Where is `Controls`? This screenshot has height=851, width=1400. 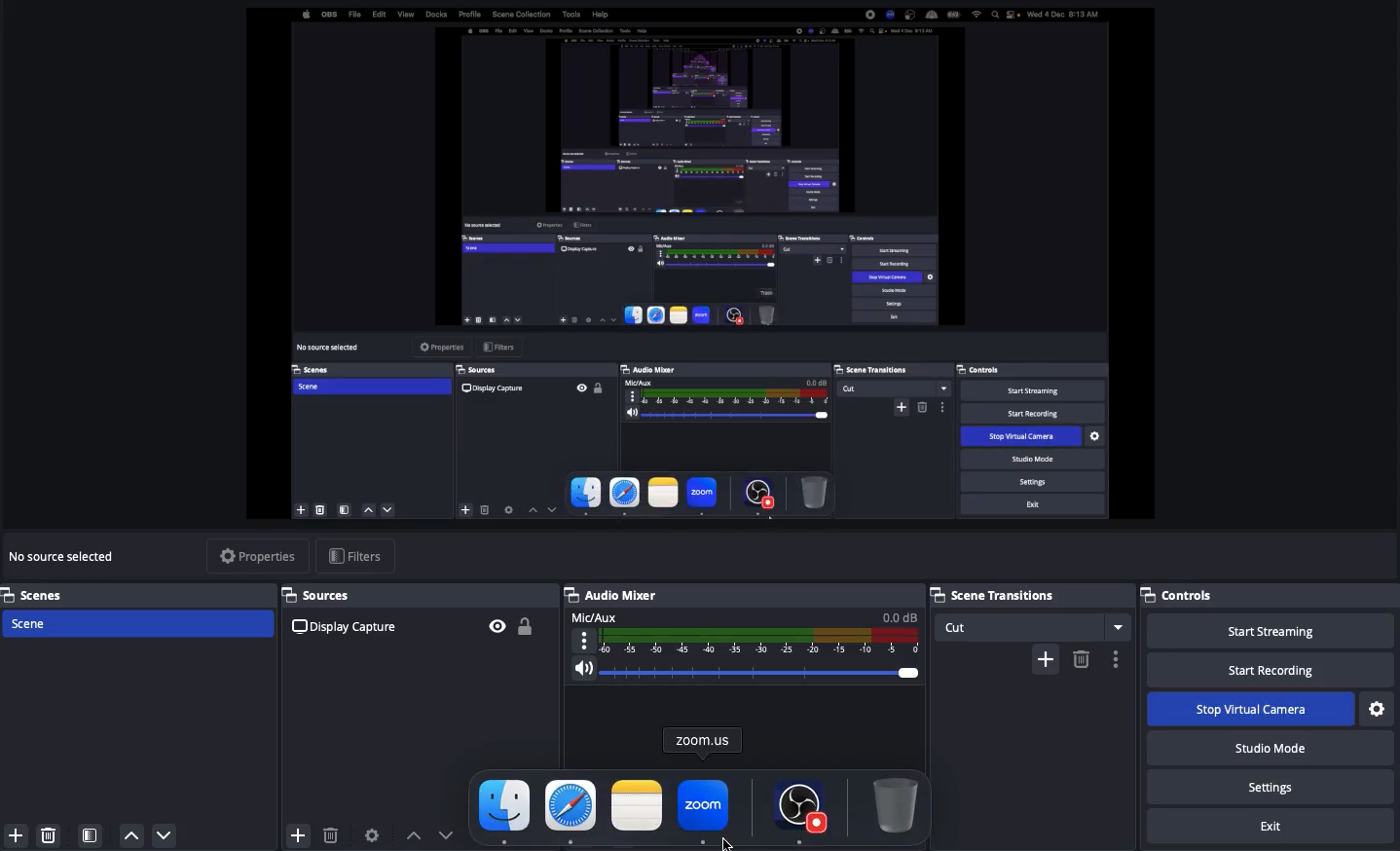 Controls is located at coordinates (1188, 593).